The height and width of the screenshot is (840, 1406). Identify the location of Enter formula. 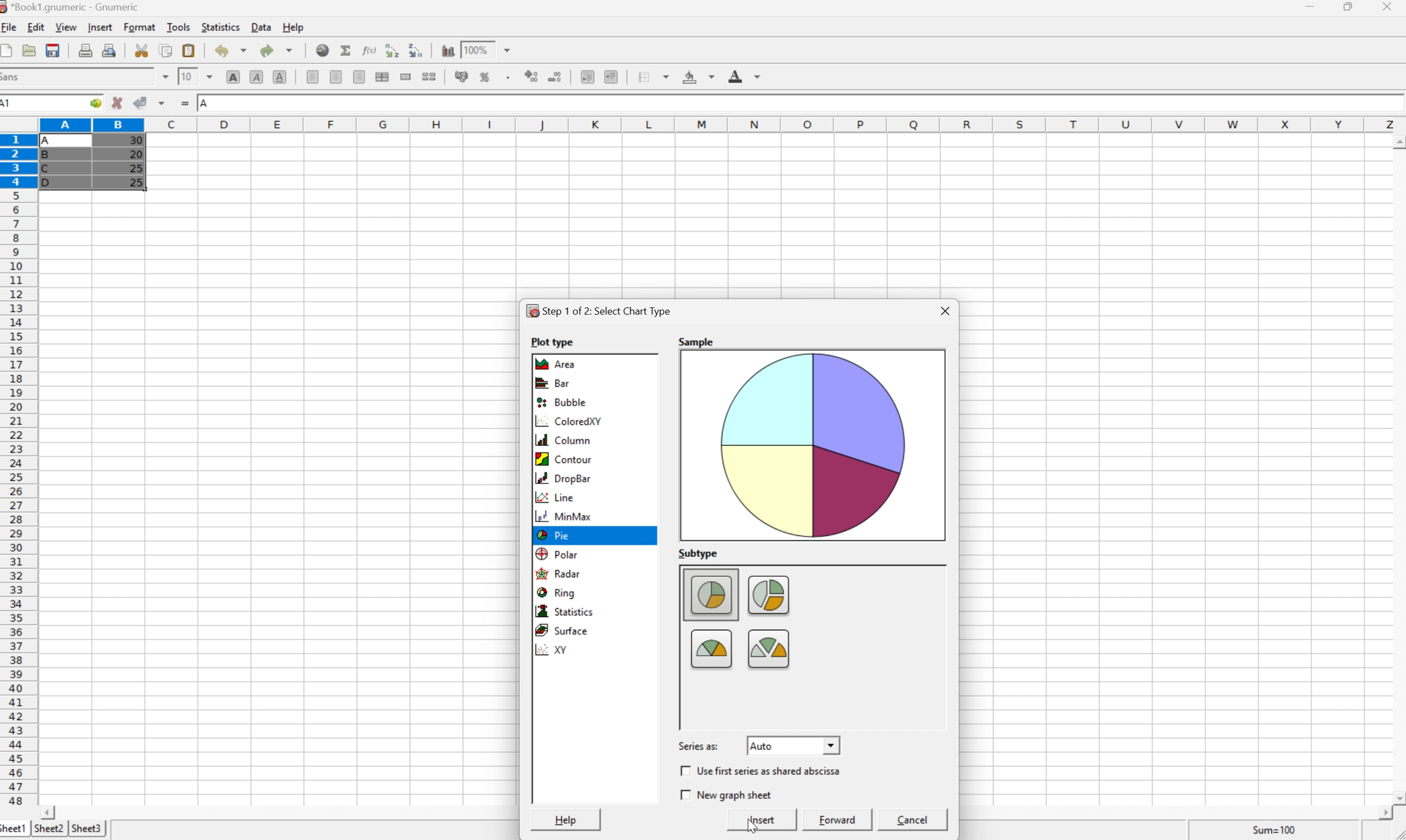
(185, 102).